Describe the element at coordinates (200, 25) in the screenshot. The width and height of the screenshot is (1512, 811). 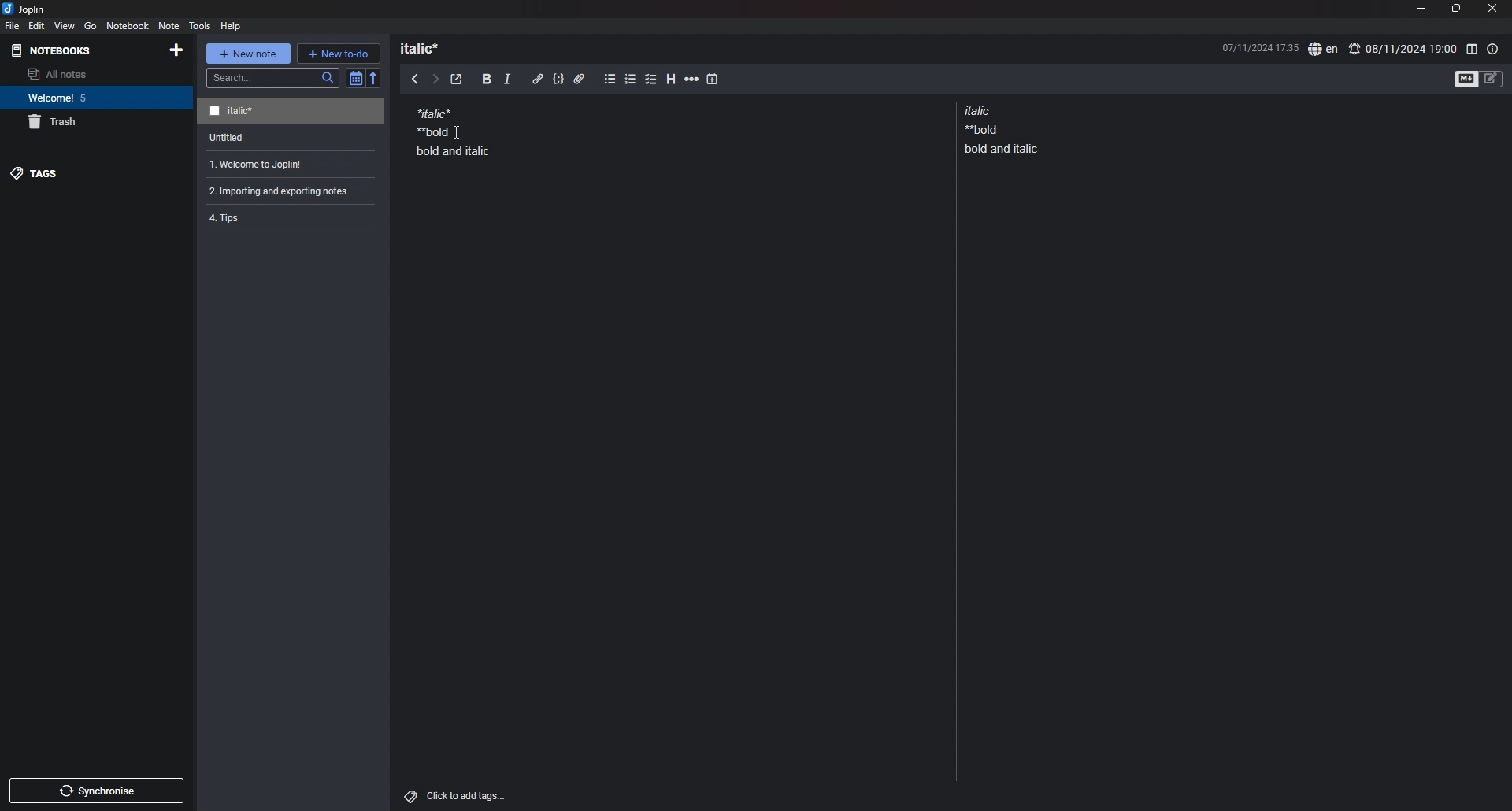
I see `tools` at that location.